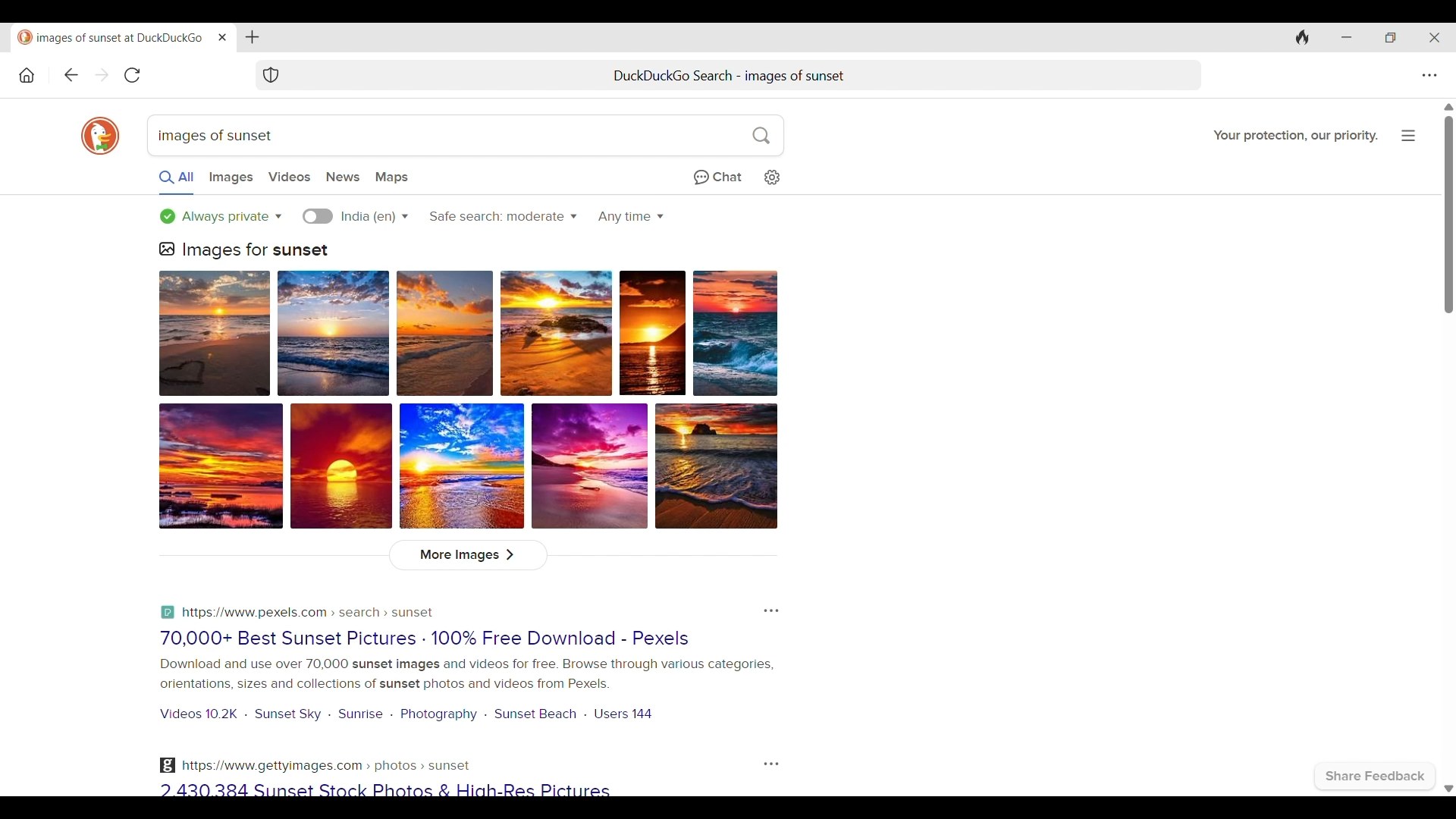 The width and height of the screenshot is (1456, 819). Describe the element at coordinates (440, 714) in the screenshot. I see `Photography` at that location.